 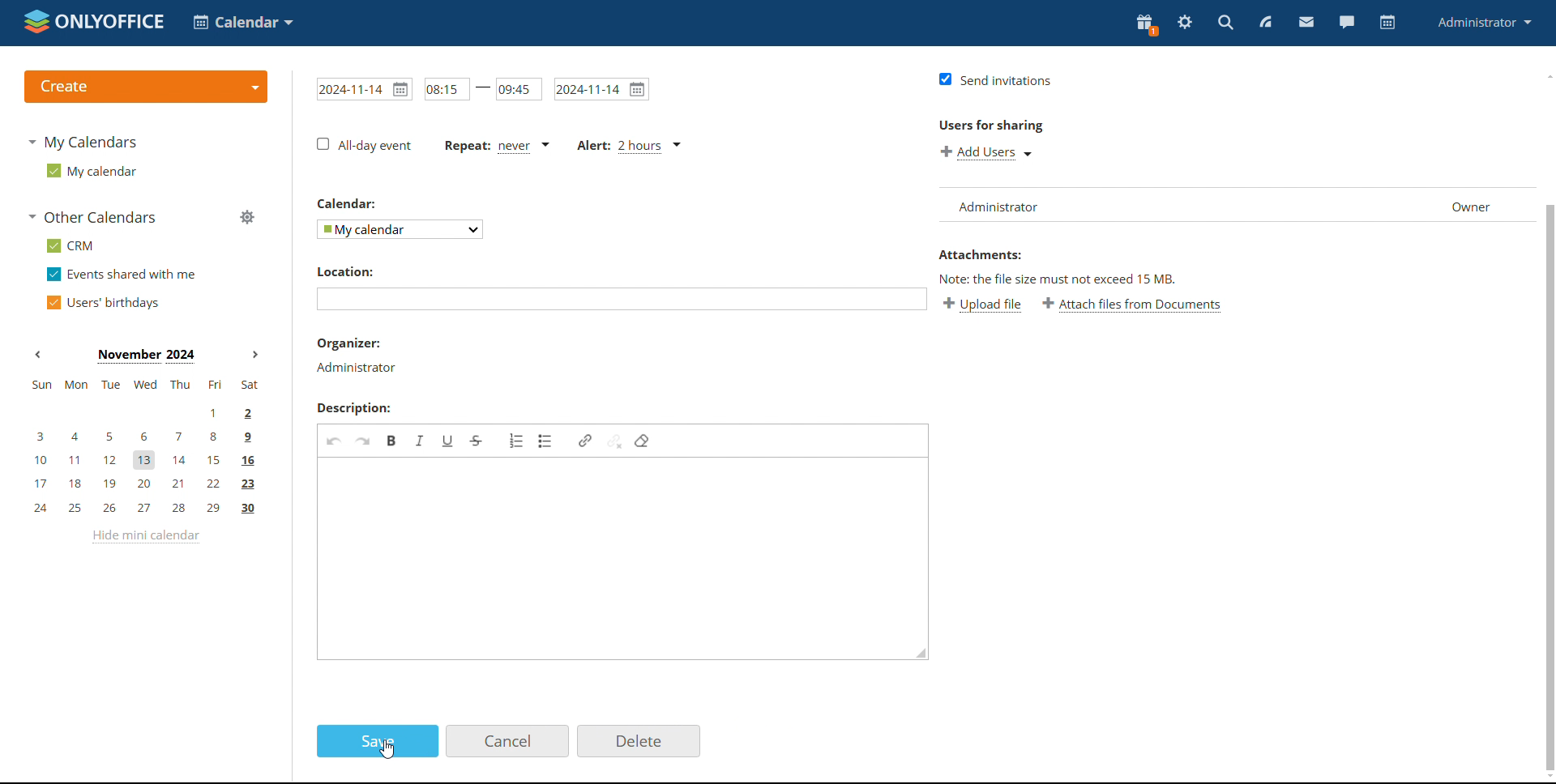 I want to click on end time, so click(x=523, y=90).